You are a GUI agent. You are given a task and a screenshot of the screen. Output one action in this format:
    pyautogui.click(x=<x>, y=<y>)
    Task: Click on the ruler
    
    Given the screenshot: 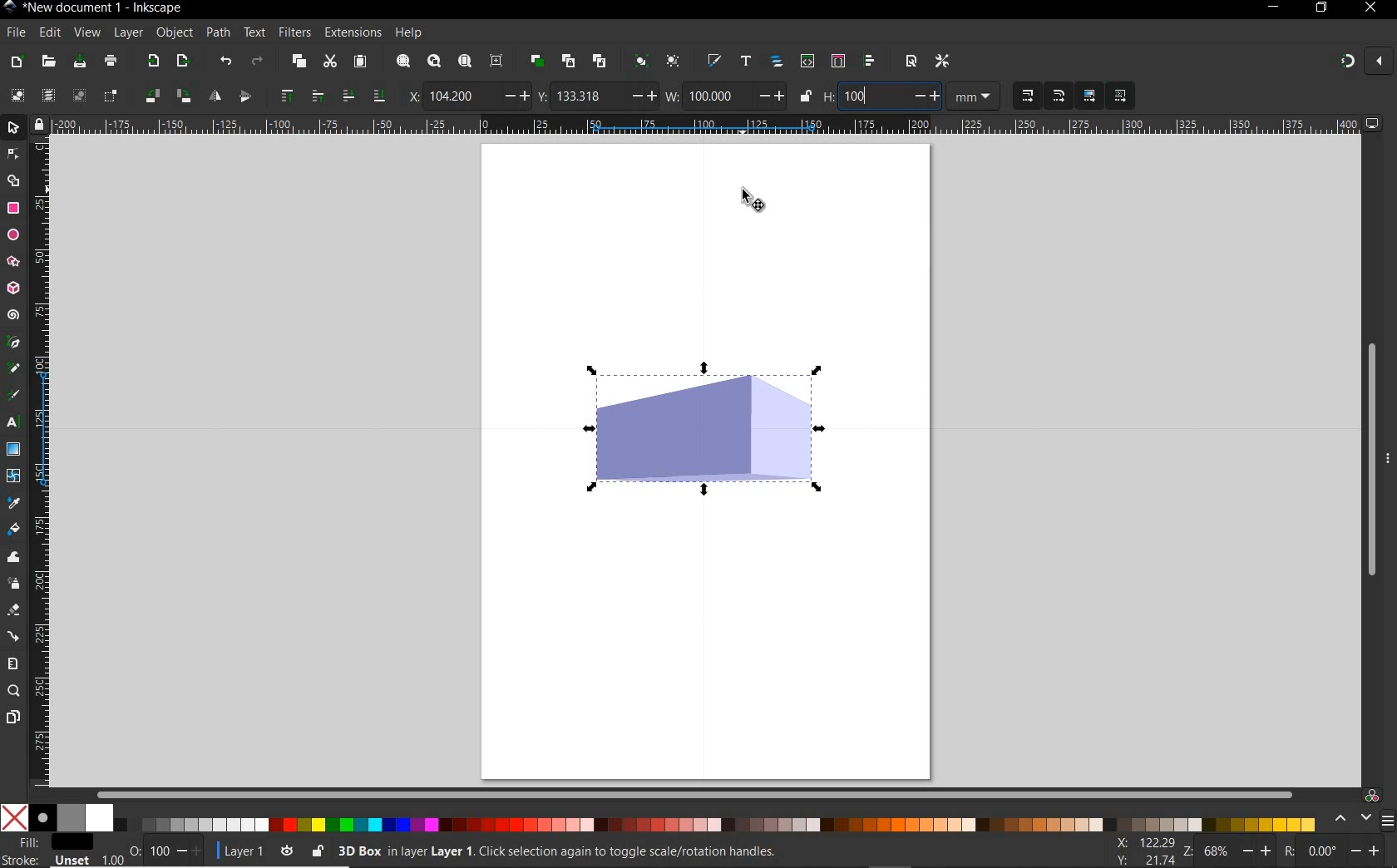 What is the action you would take?
    pyautogui.click(x=705, y=125)
    